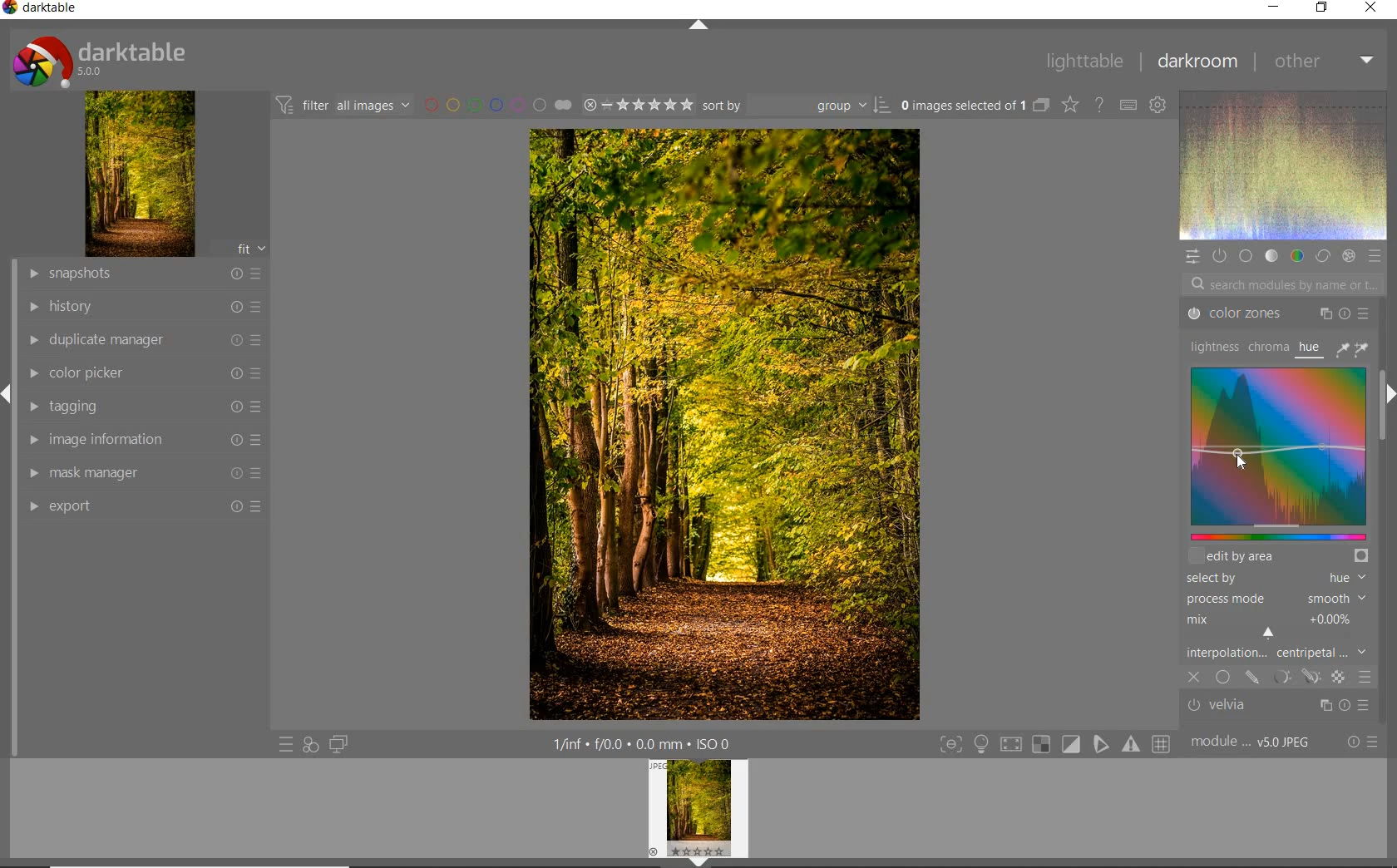  Describe the element at coordinates (137, 173) in the screenshot. I see `IMAGE` at that location.